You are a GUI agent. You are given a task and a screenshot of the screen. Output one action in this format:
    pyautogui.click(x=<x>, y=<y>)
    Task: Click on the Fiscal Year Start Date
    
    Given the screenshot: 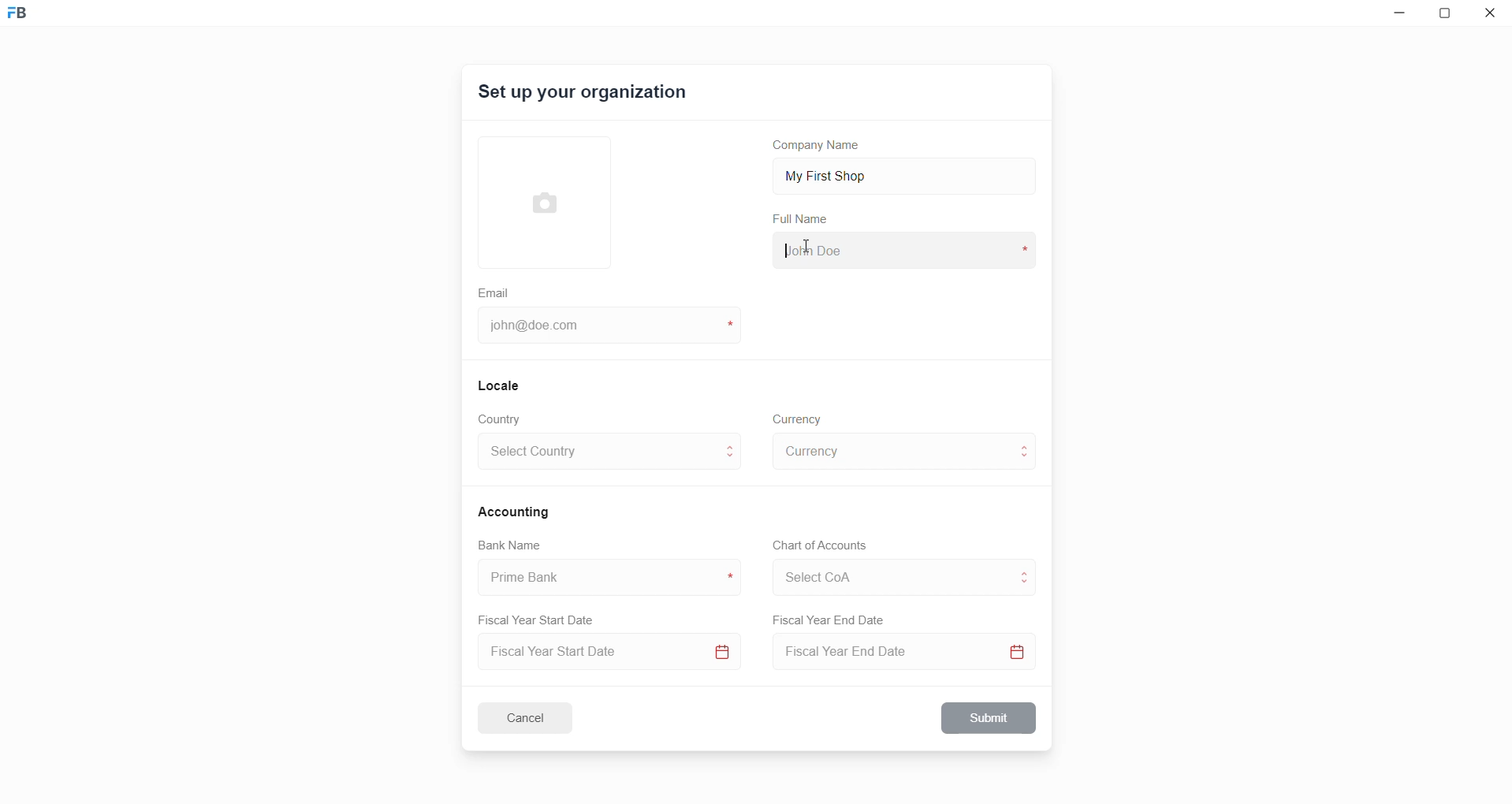 What is the action you would take?
    pyautogui.click(x=542, y=617)
    